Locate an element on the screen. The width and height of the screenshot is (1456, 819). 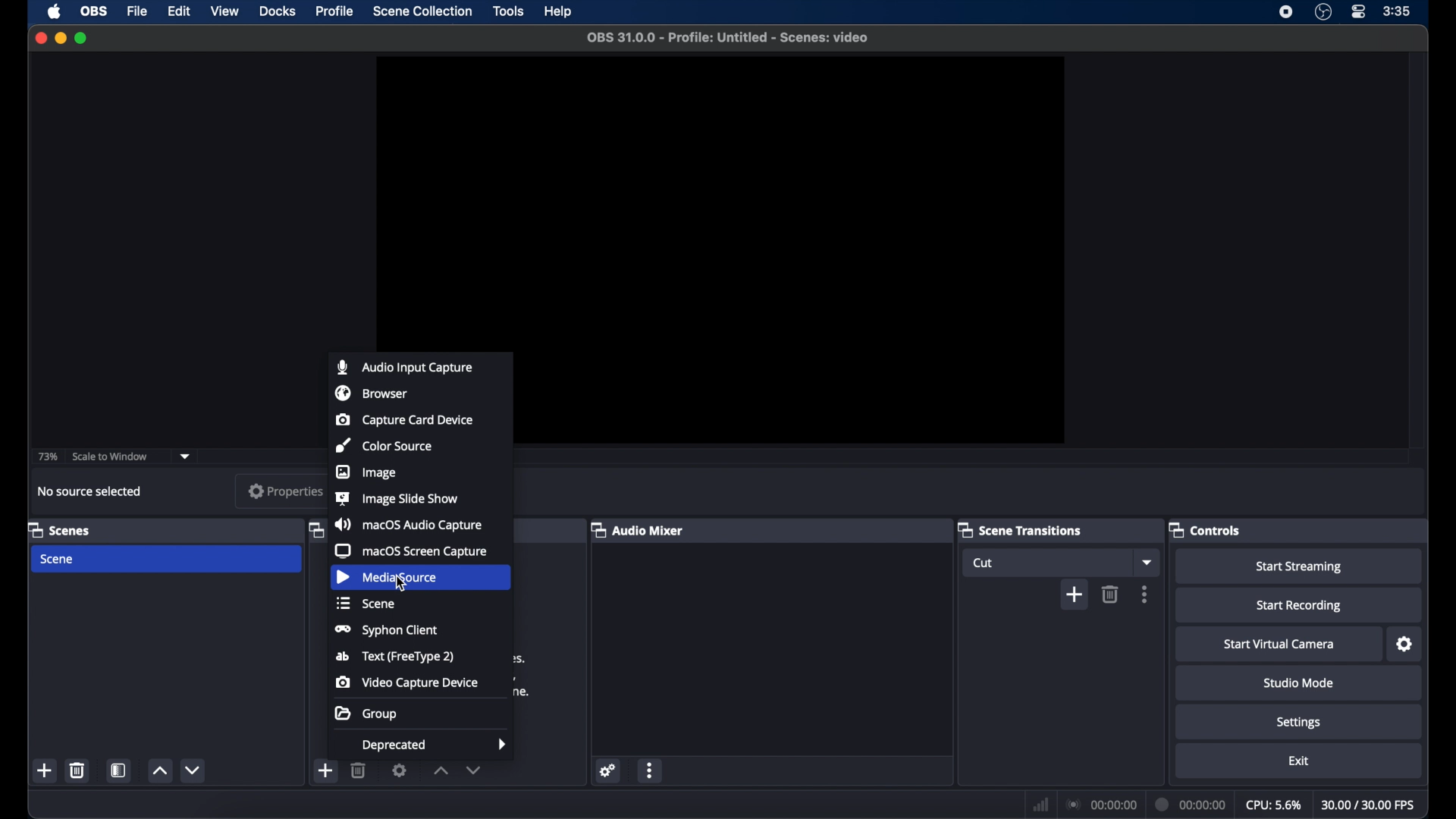
start virtual camera is located at coordinates (1280, 644).